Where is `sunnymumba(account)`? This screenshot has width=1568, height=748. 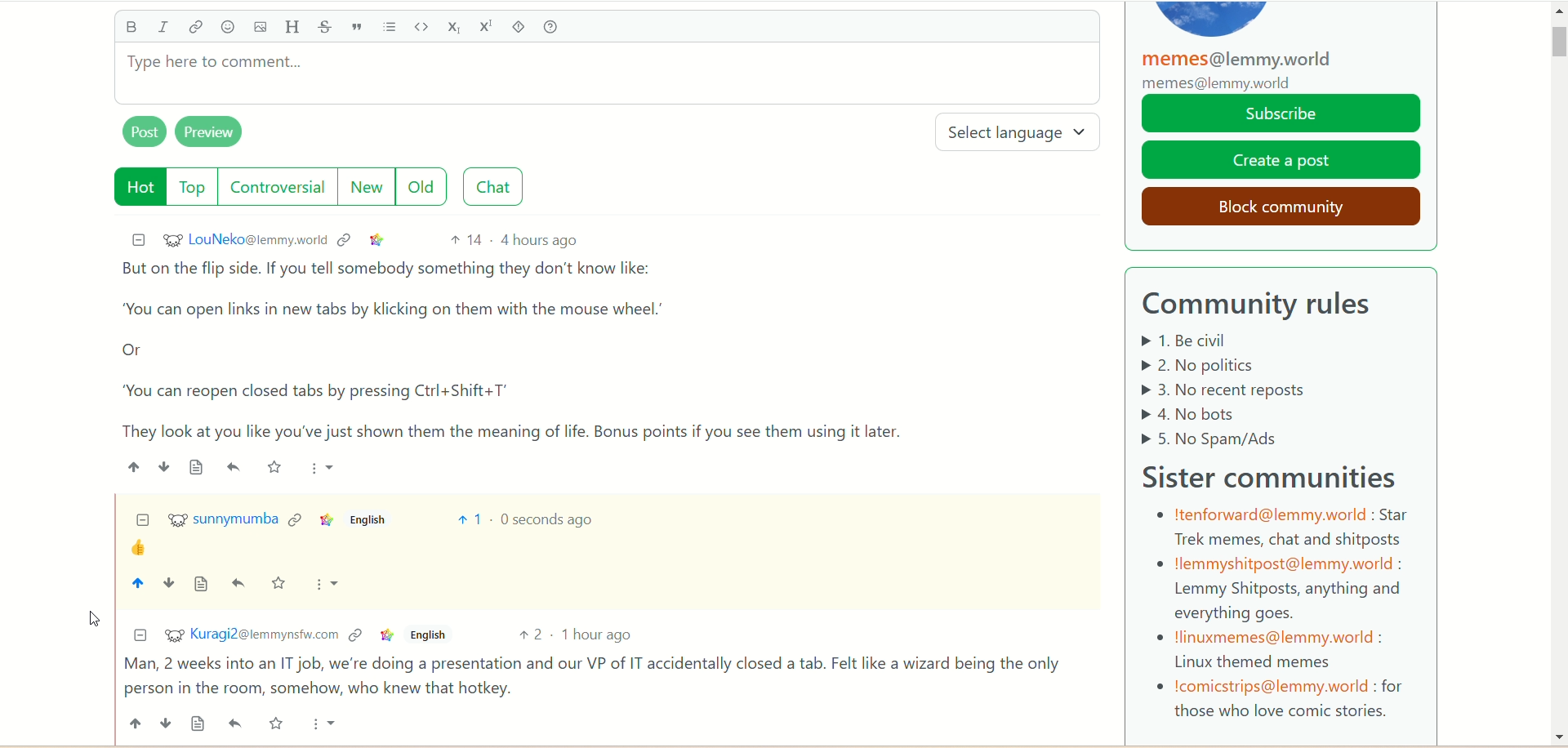
sunnymumba(account) is located at coordinates (200, 521).